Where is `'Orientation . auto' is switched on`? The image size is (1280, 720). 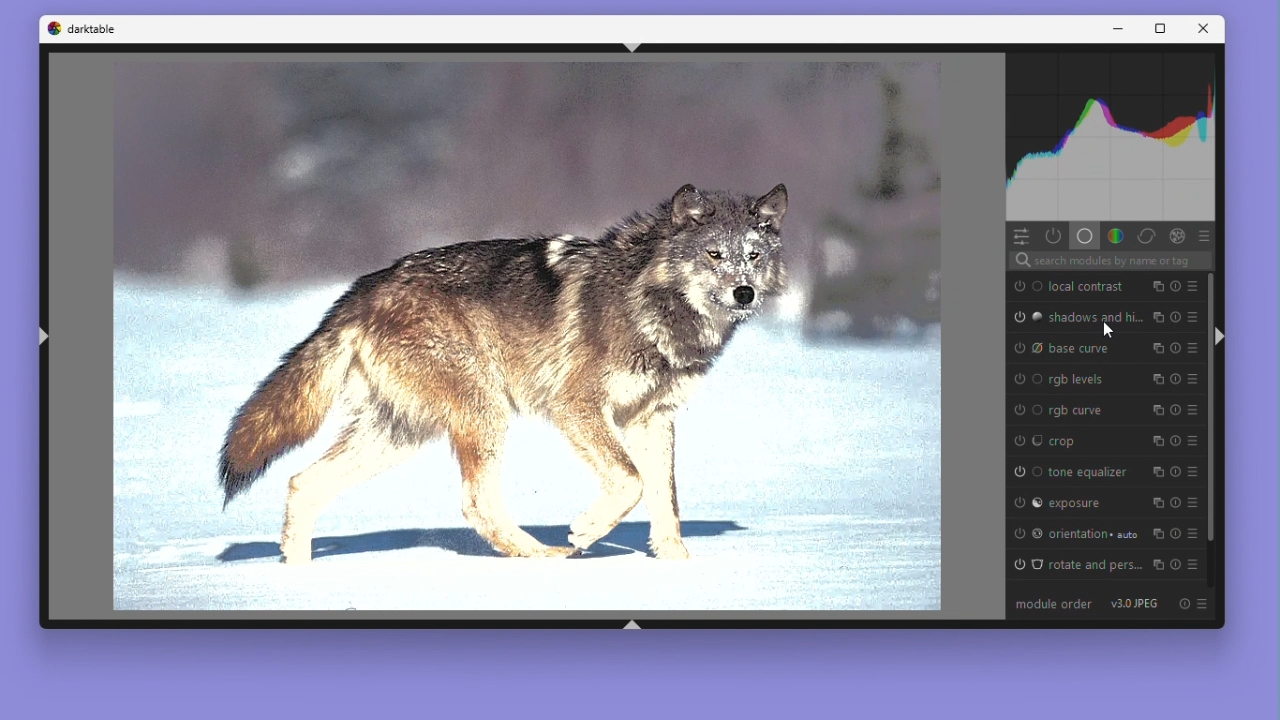
'Orientation . auto' is switched on is located at coordinates (1028, 531).